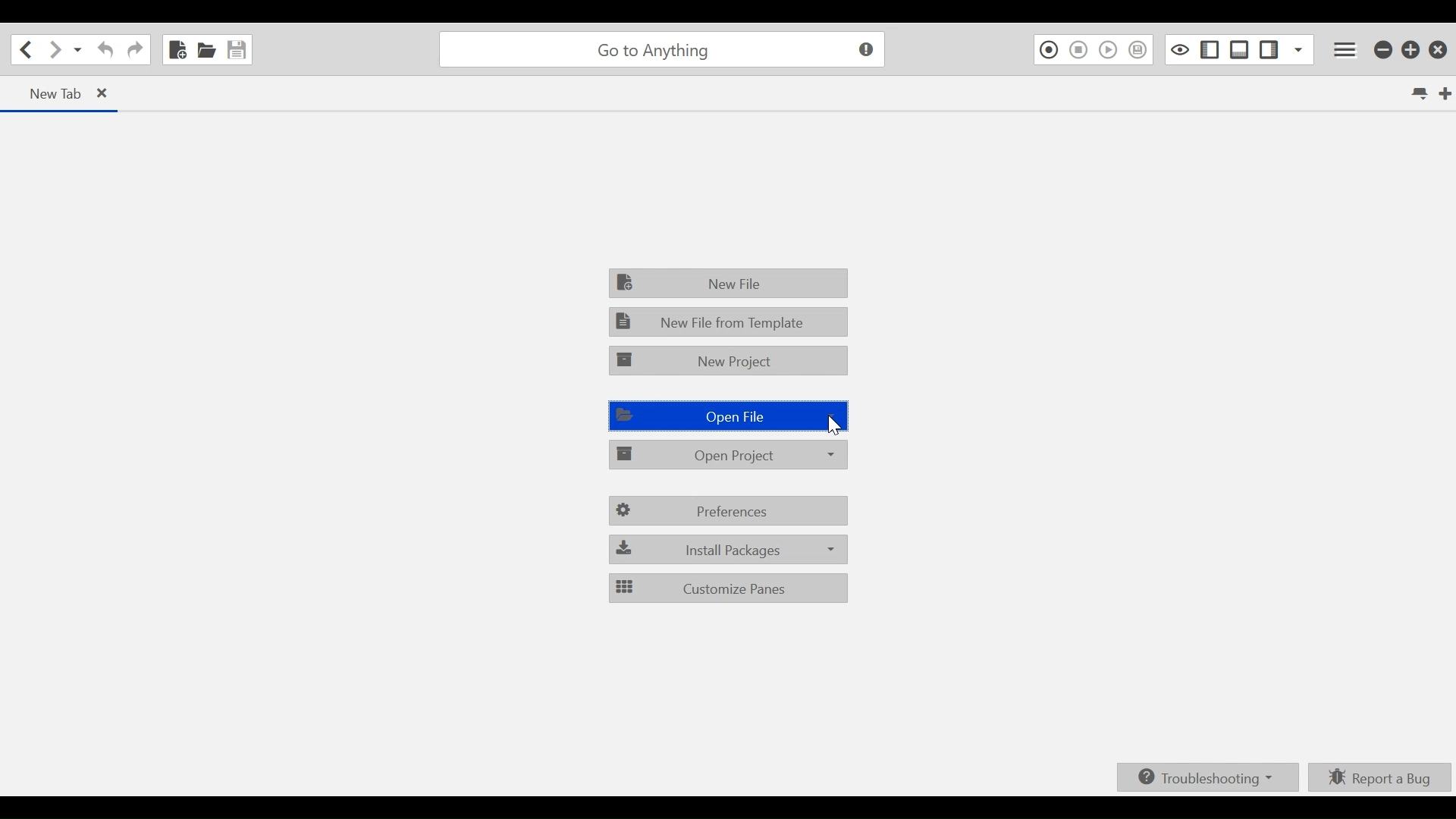 This screenshot has width=1456, height=819. What do you see at coordinates (1241, 49) in the screenshot?
I see `Show/Hide Bottom Pane` at bounding box center [1241, 49].